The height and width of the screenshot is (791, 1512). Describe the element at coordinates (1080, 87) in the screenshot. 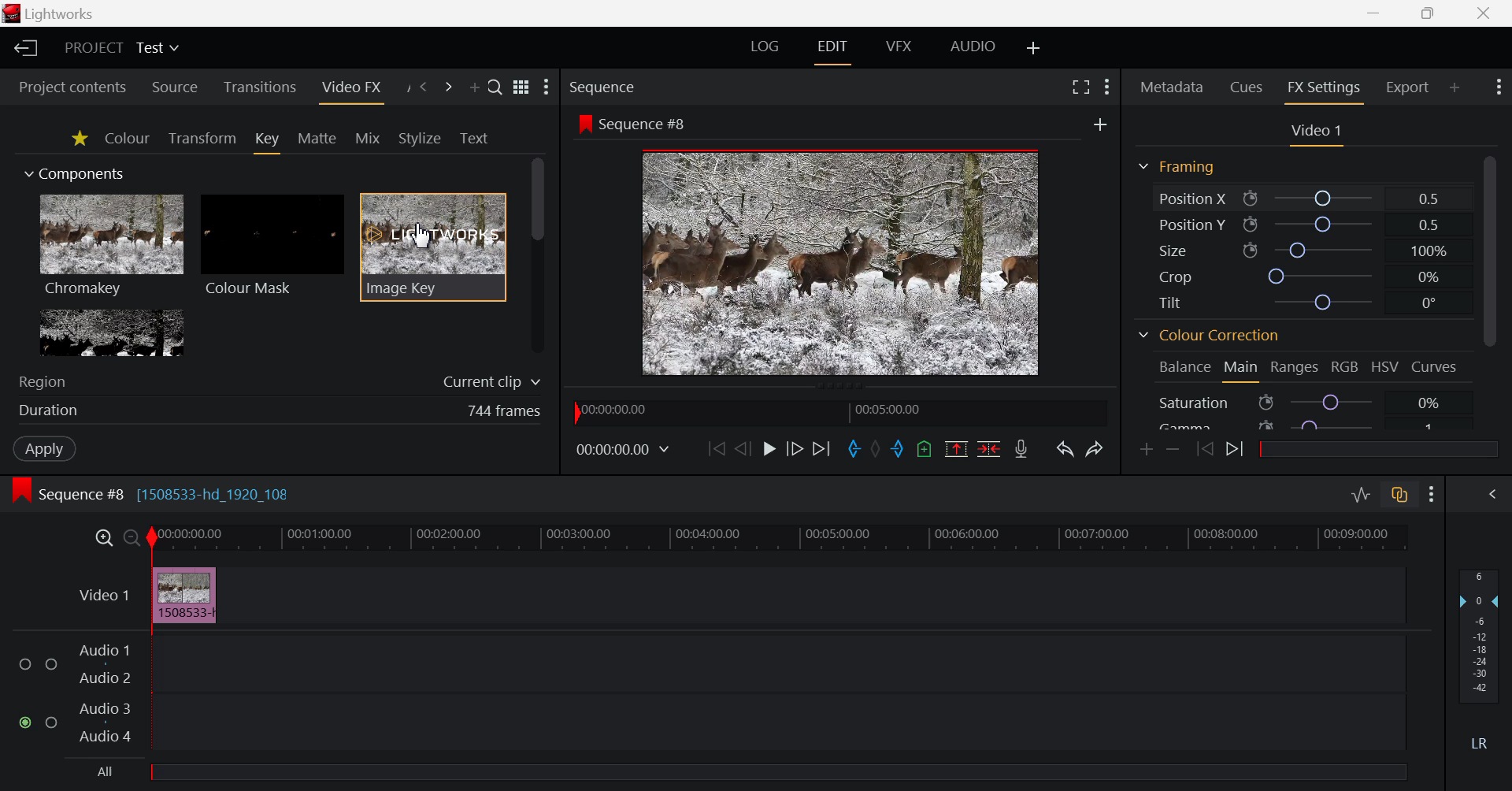

I see `Full Screen` at that location.